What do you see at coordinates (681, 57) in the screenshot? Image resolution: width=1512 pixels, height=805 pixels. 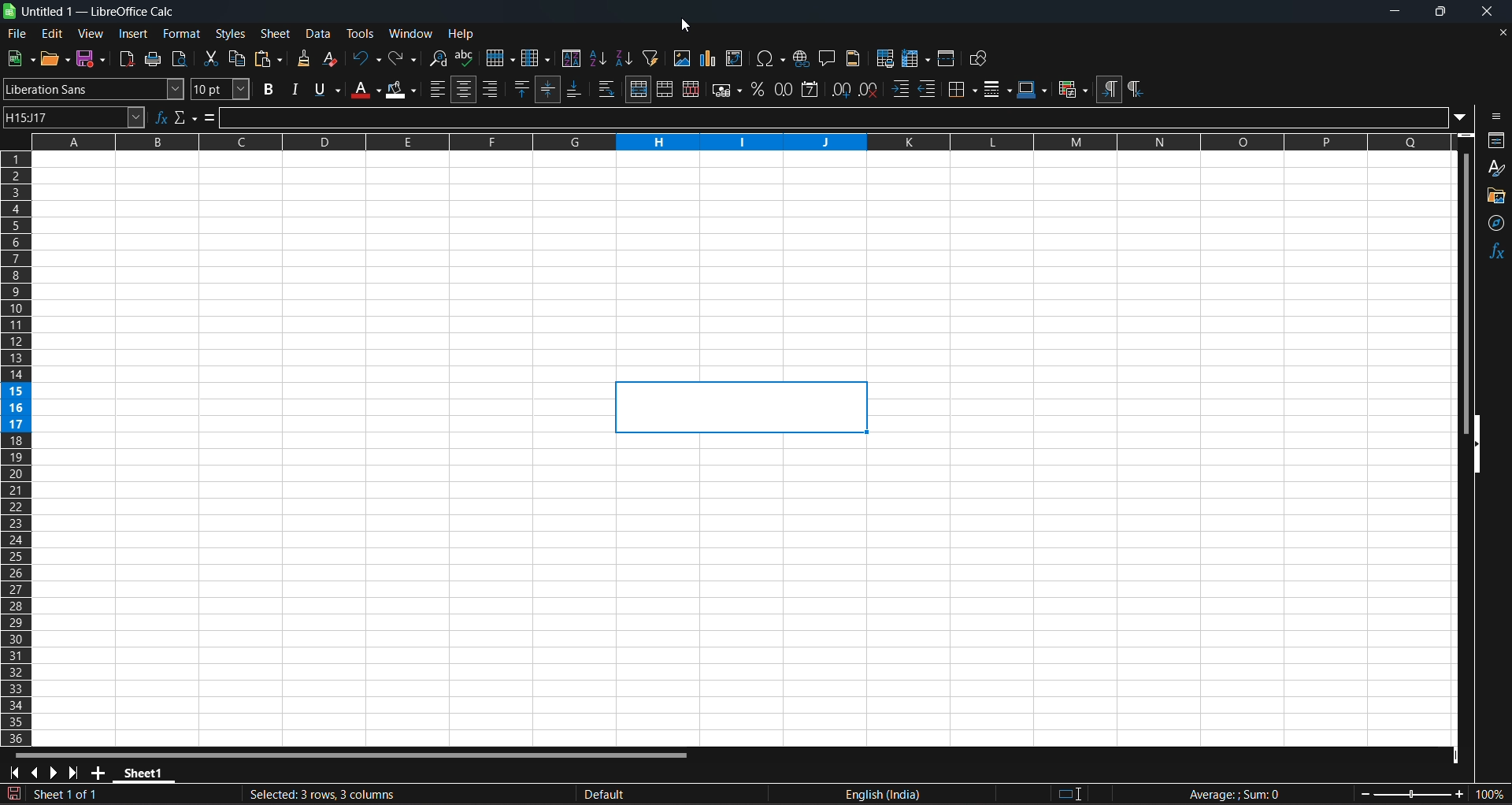 I see `insert image` at bounding box center [681, 57].